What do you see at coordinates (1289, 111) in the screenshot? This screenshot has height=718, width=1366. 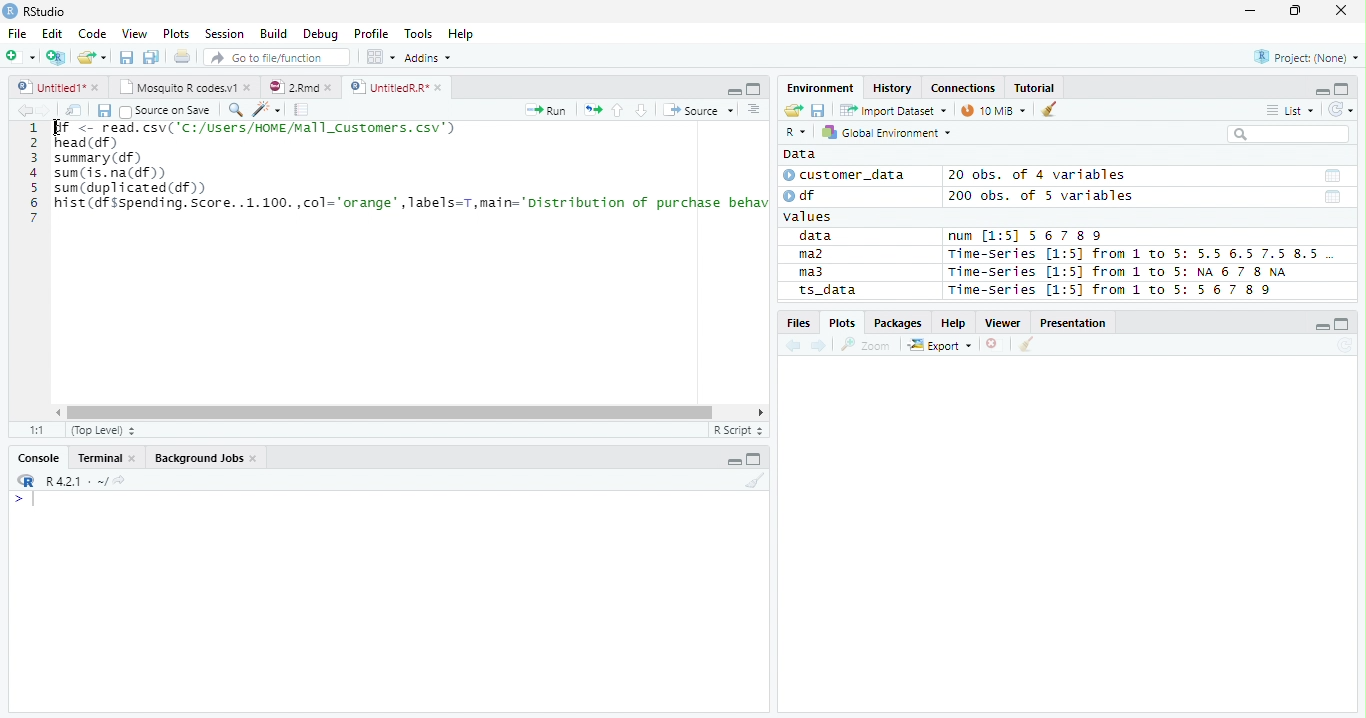 I see `List` at bounding box center [1289, 111].